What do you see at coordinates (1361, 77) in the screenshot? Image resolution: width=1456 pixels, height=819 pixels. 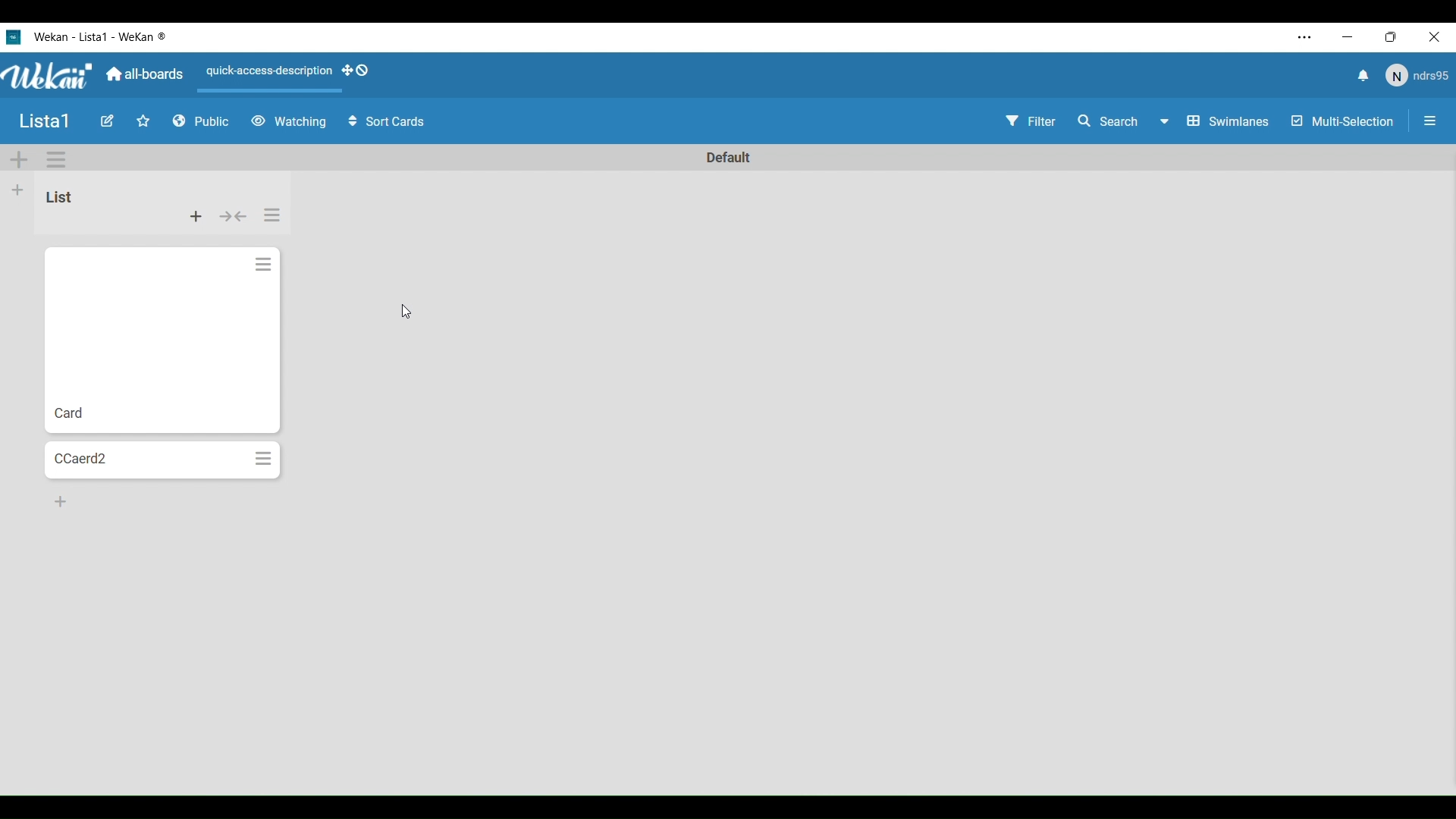 I see `Notifications` at bounding box center [1361, 77].